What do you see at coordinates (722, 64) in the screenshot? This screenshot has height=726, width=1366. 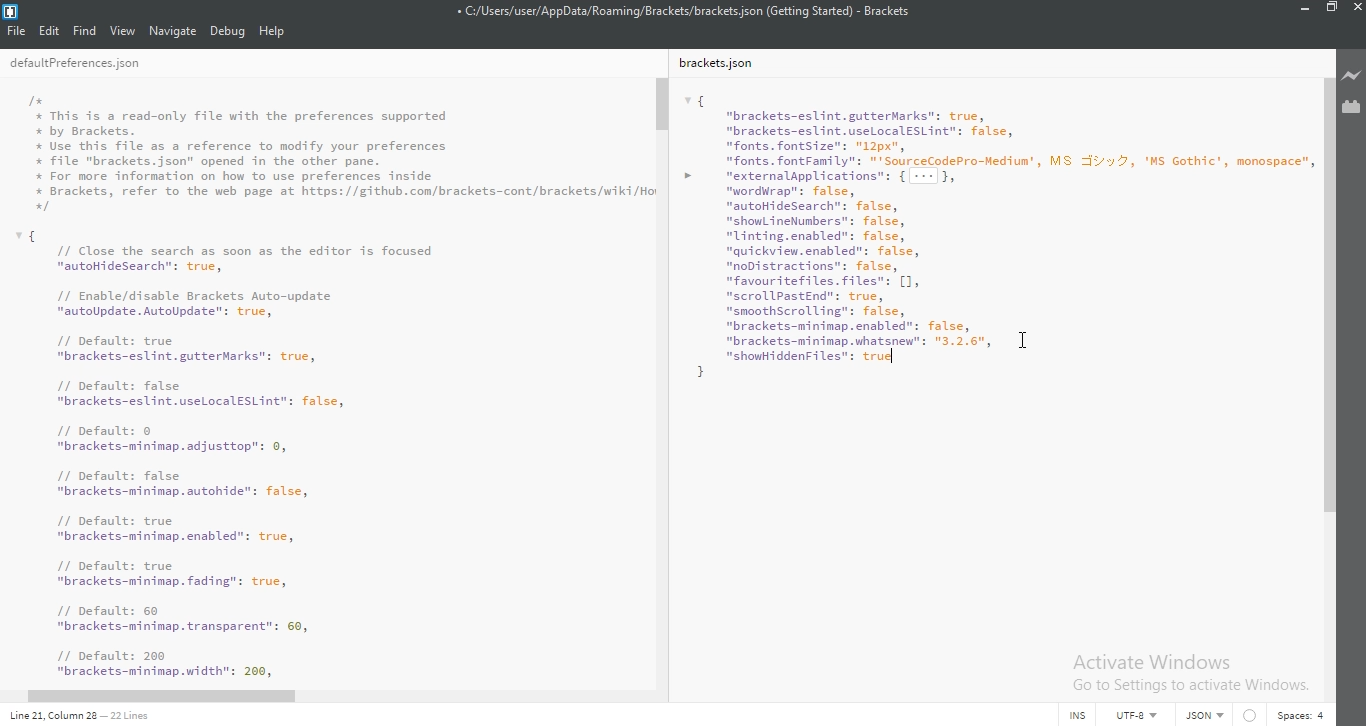 I see `brackets.json` at bounding box center [722, 64].